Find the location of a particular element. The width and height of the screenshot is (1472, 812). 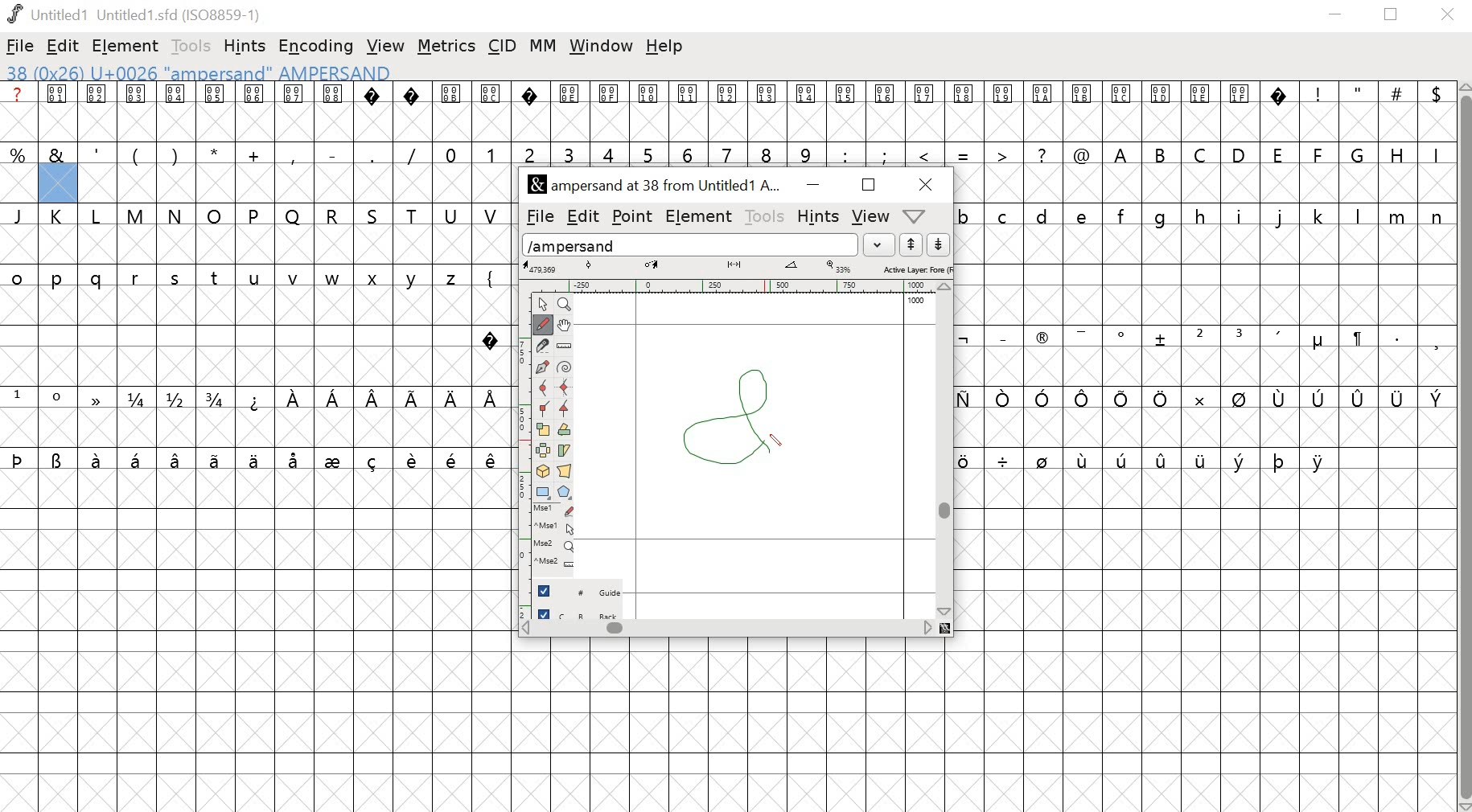

0005 is located at coordinates (214, 112).